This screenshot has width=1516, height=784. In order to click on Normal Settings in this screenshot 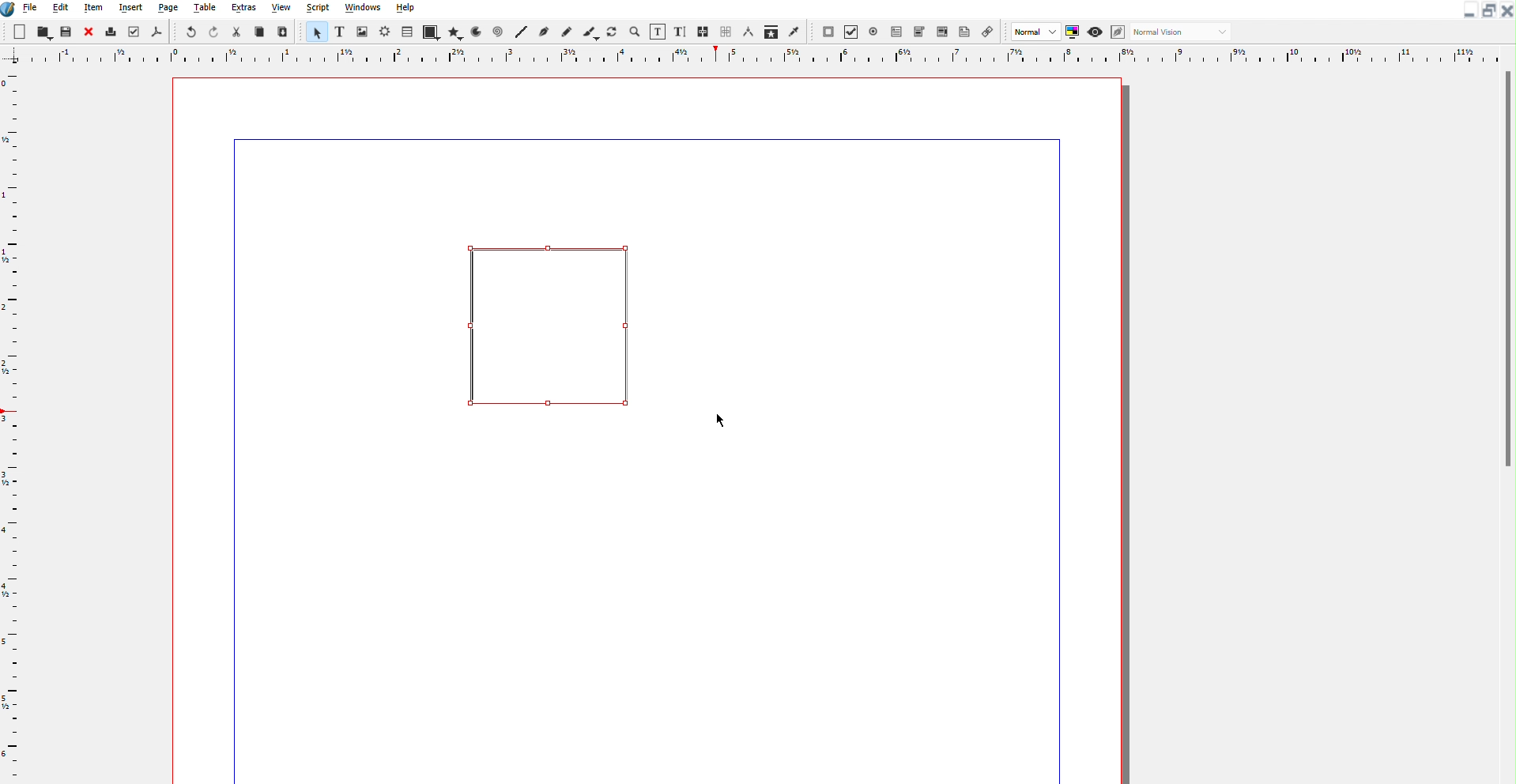, I will do `click(1046, 32)`.